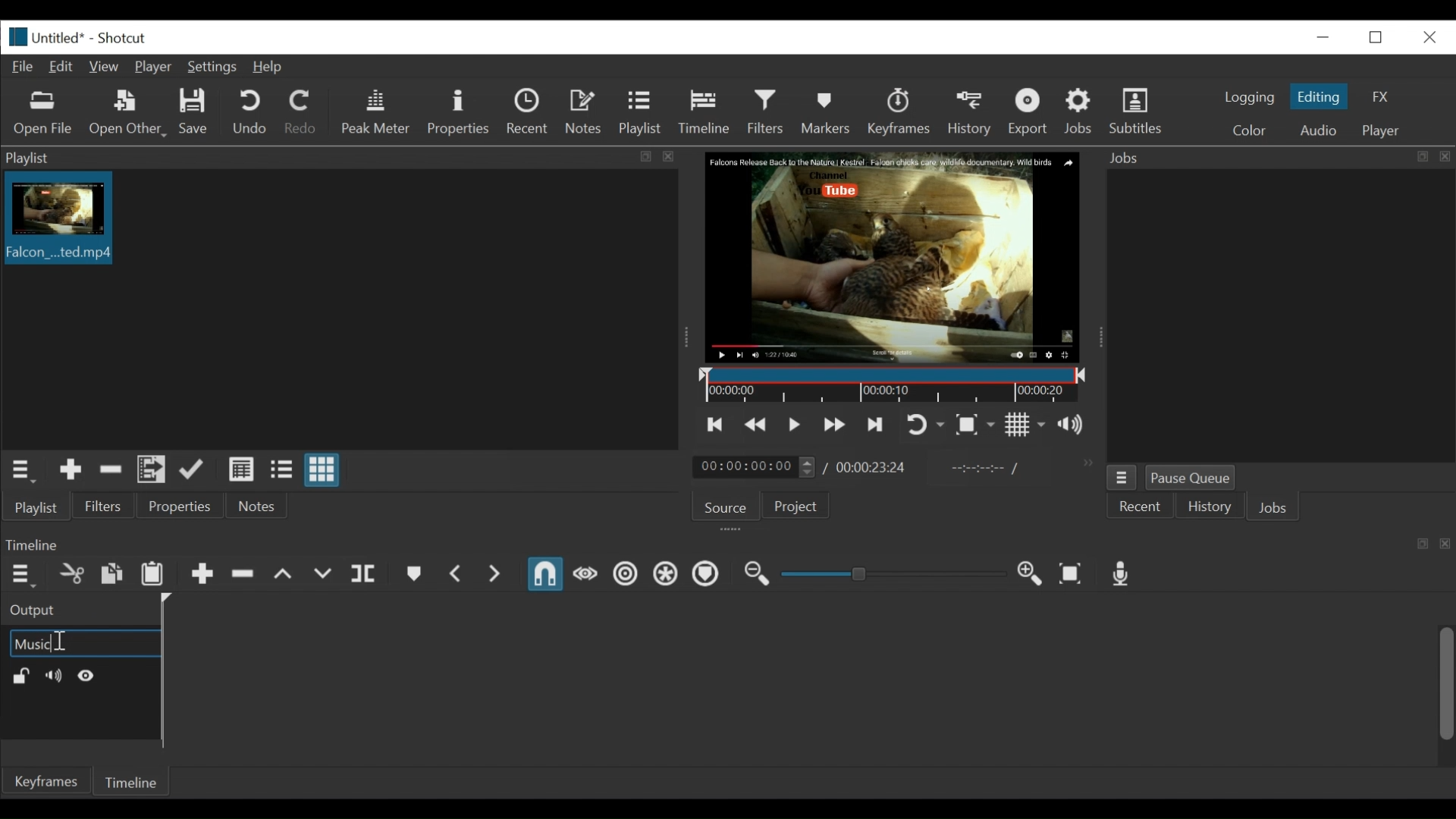 This screenshot has width=1456, height=819. What do you see at coordinates (300, 111) in the screenshot?
I see `Redo` at bounding box center [300, 111].